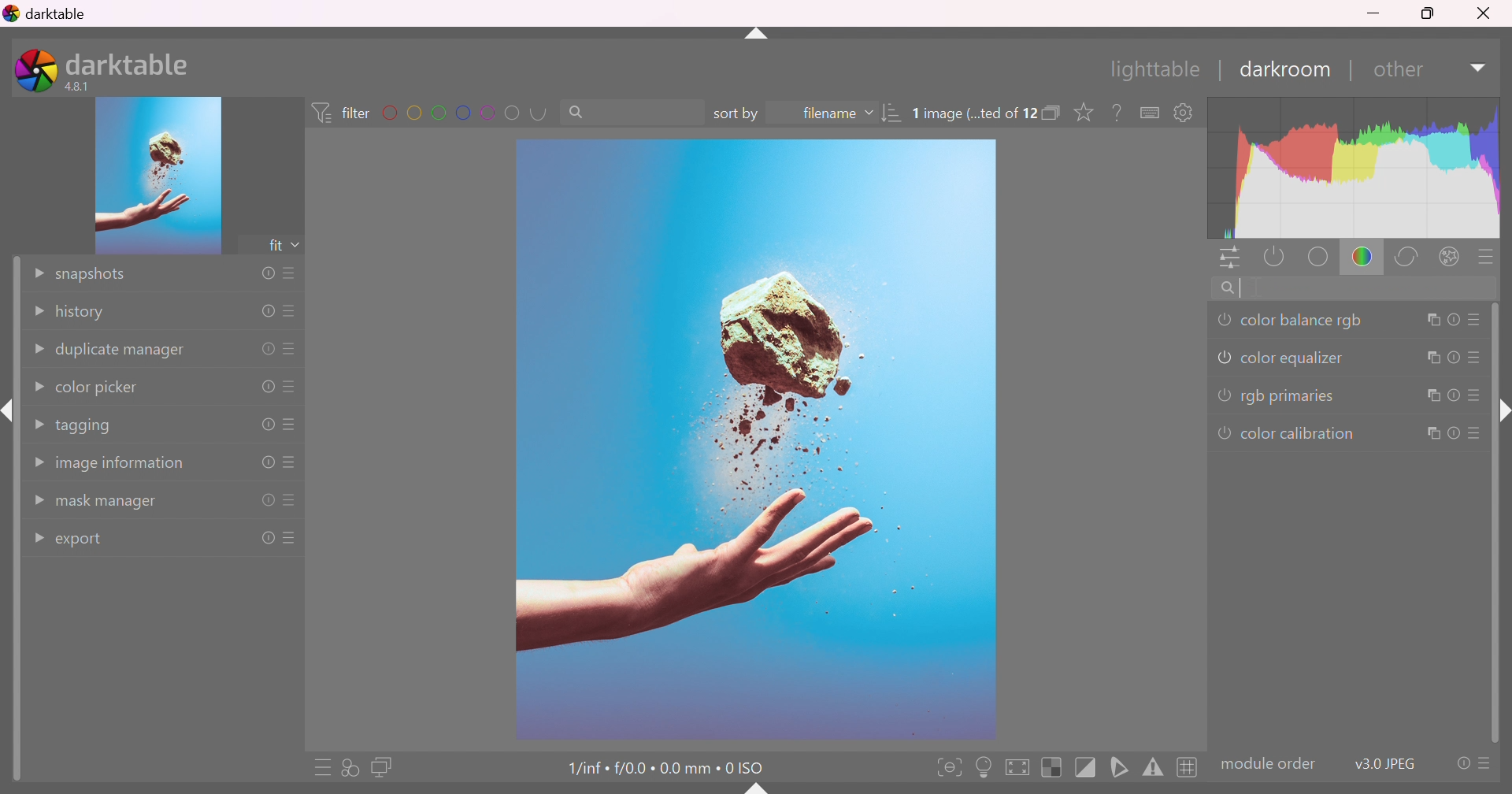 The image size is (1512, 794). Describe the element at coordinates (758, 35) in the screenshot. I see `shift+ctrl+t` at that location.